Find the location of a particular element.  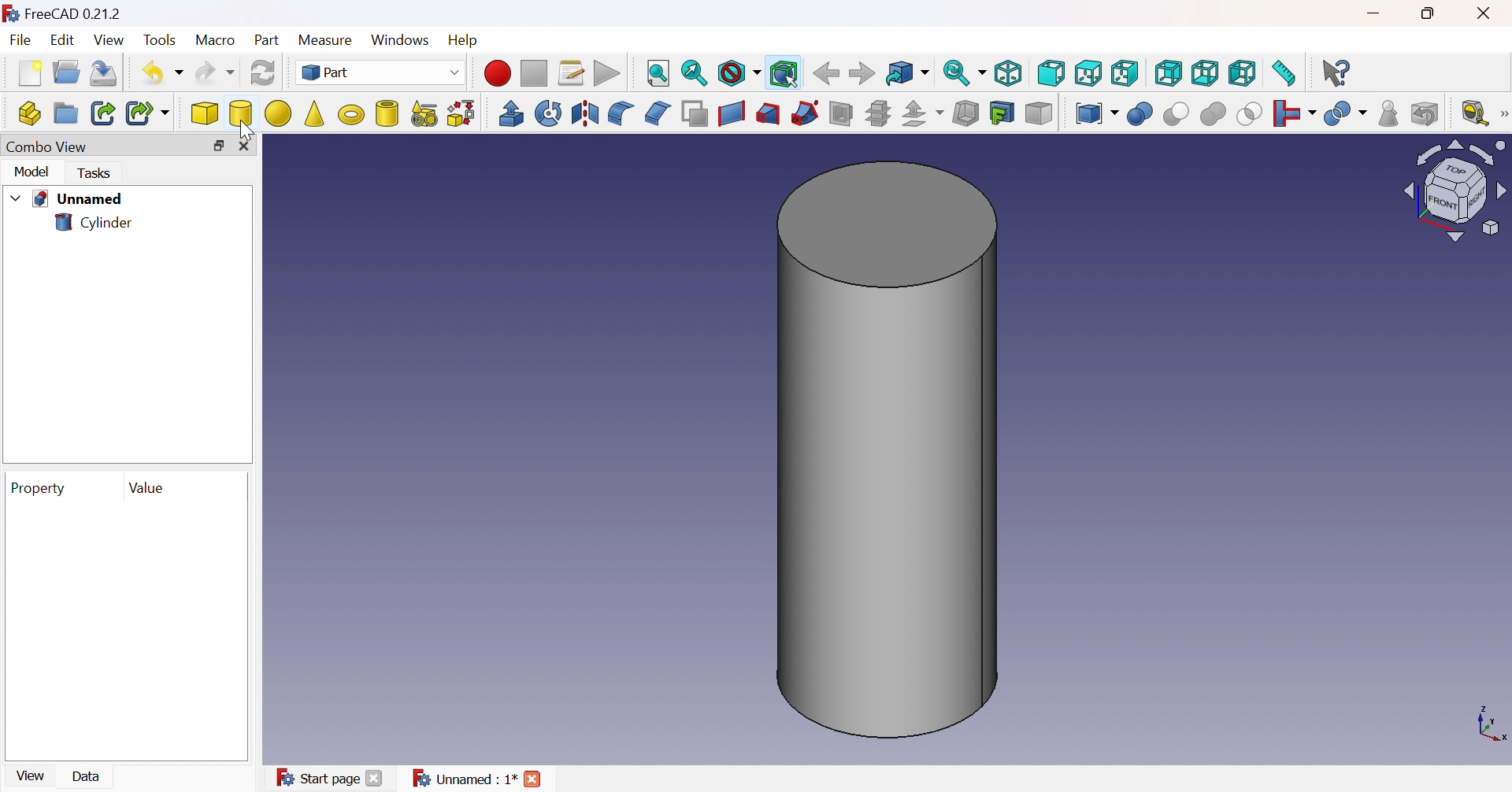

Cursor is located at coordinates (246, 129).